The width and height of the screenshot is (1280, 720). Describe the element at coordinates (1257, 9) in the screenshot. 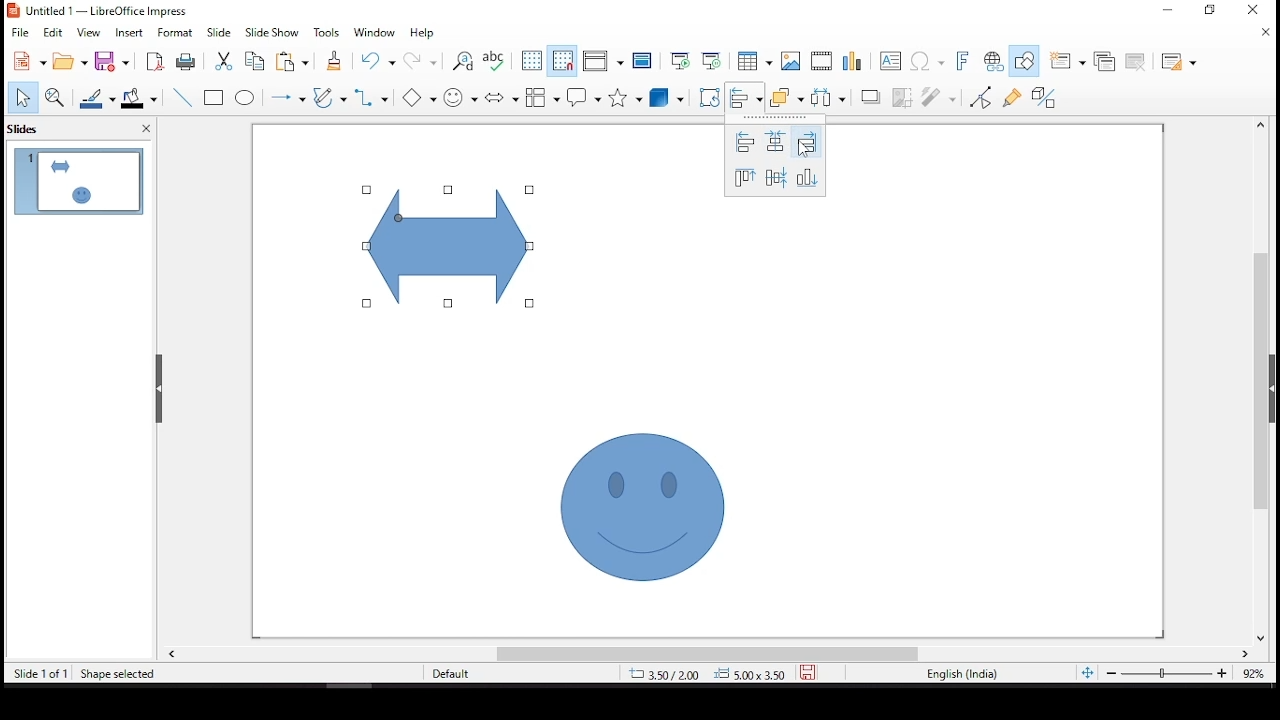

I see `close window` at that location.